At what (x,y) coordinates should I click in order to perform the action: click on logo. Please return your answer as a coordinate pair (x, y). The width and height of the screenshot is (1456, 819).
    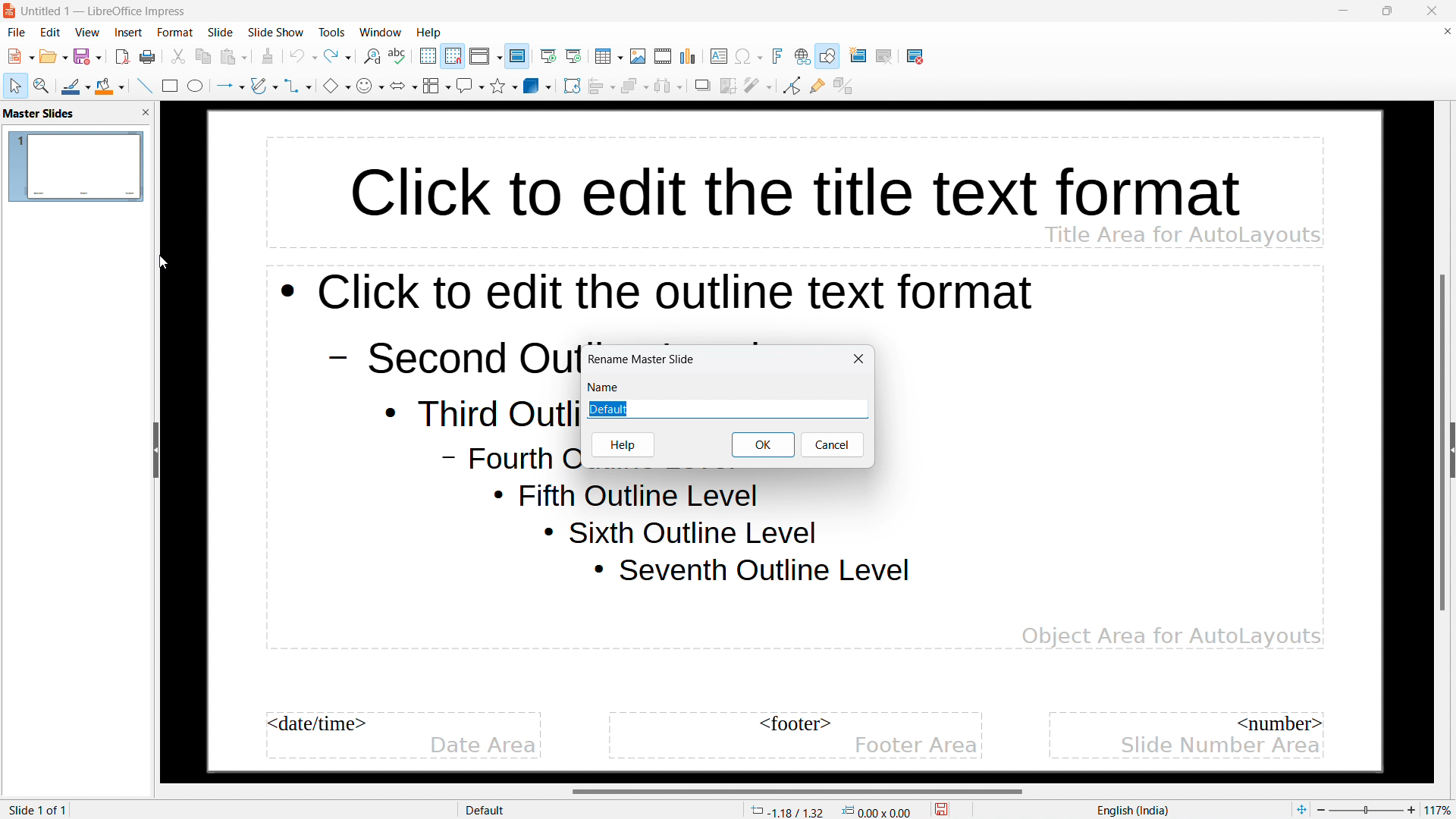
    Looking at the image, I should click on (10, 11).